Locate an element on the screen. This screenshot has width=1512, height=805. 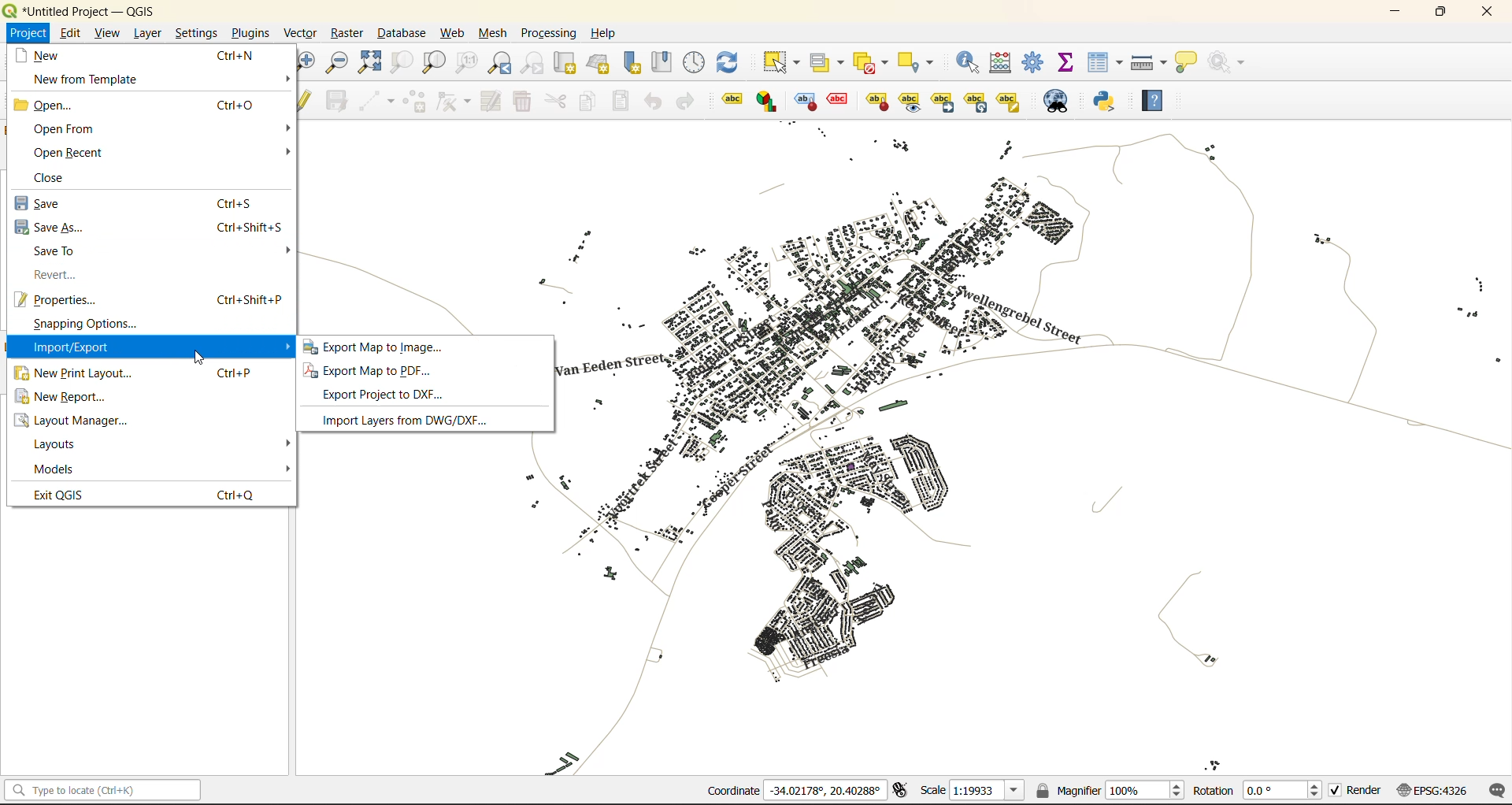
deselect value is located at coordinates (877, 61).